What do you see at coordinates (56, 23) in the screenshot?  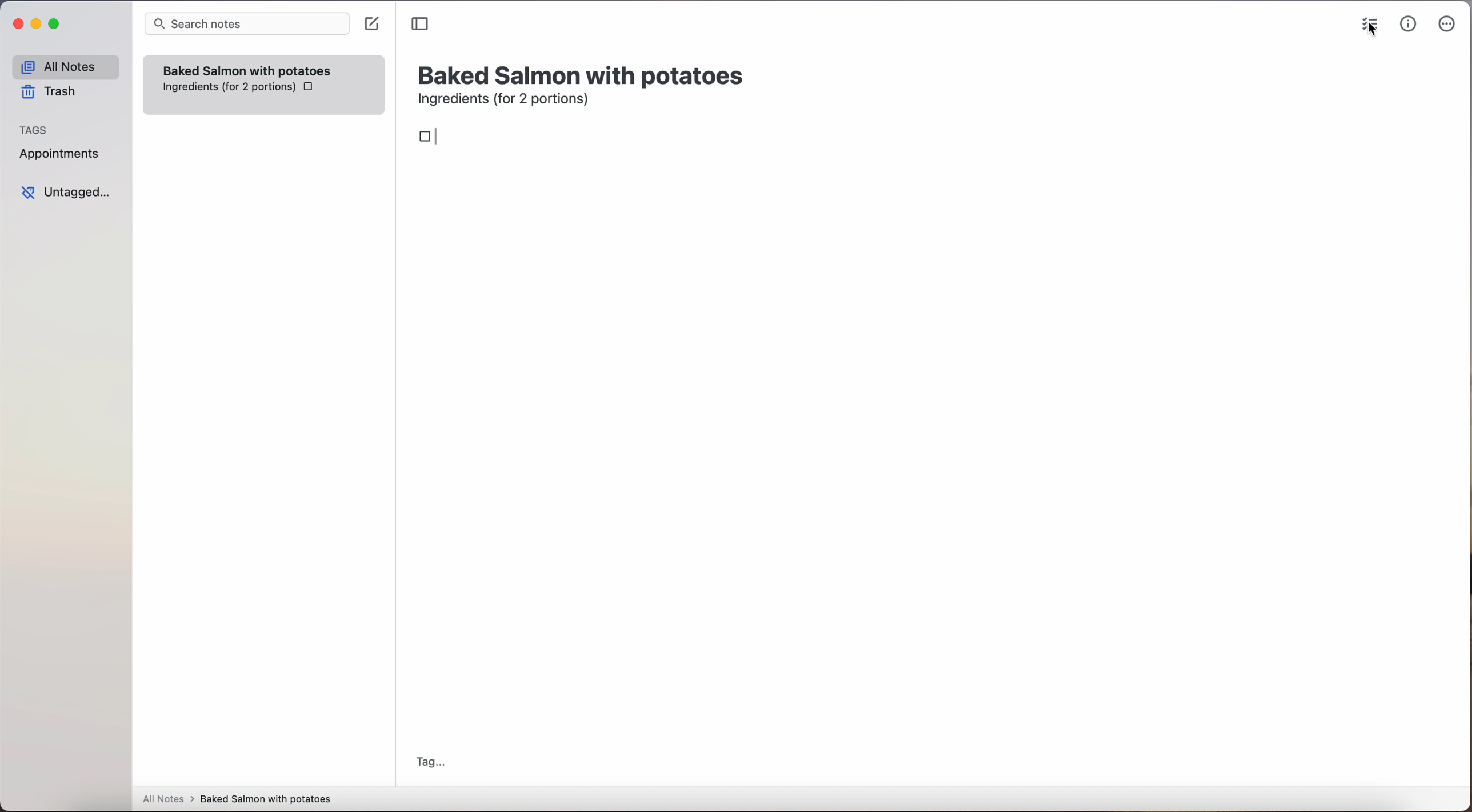 I see `maximize` at bounding box center [56, 23].